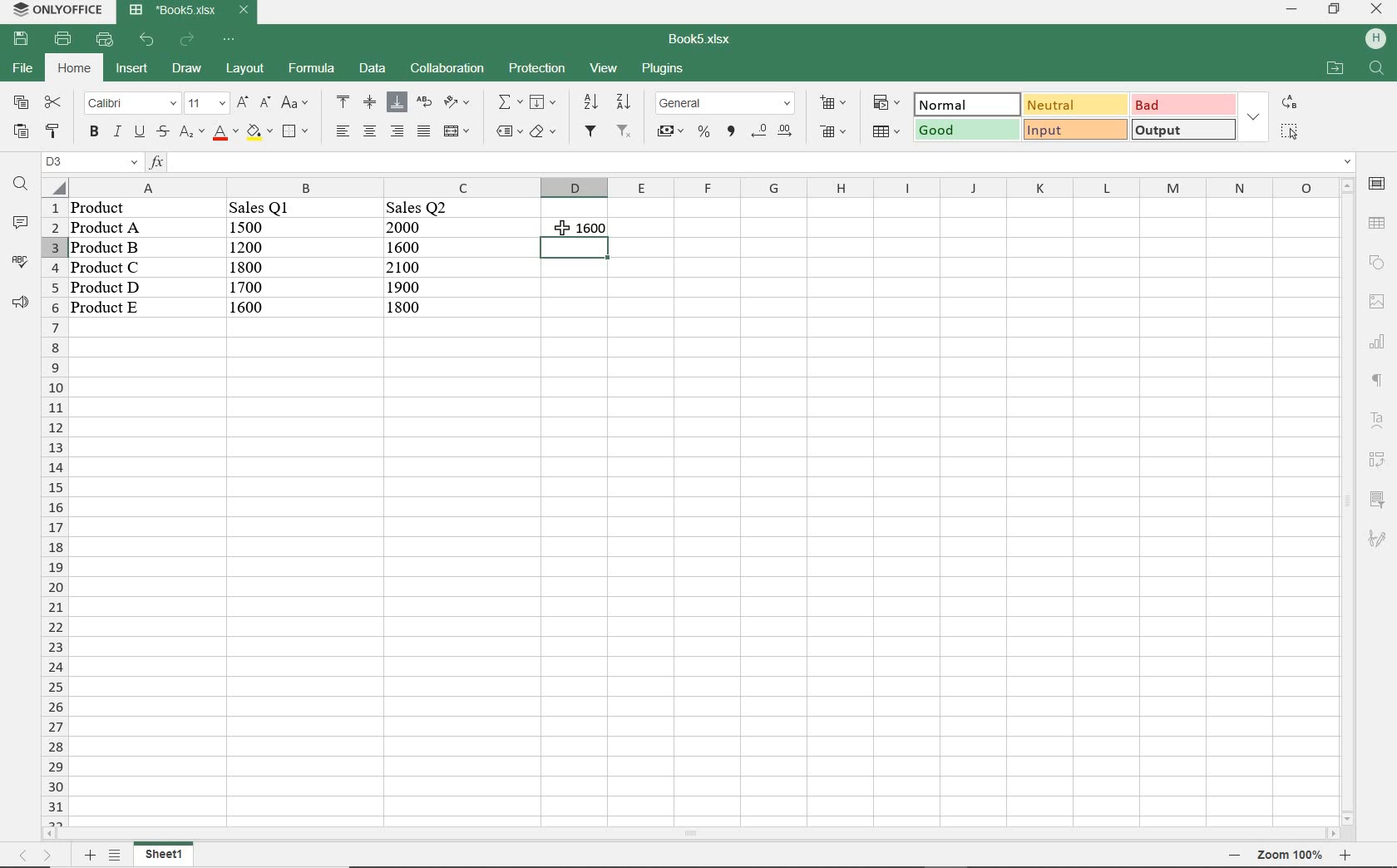  Describe the element at coordinates (1184, 131) in the screenshot. I see `output` at that location.